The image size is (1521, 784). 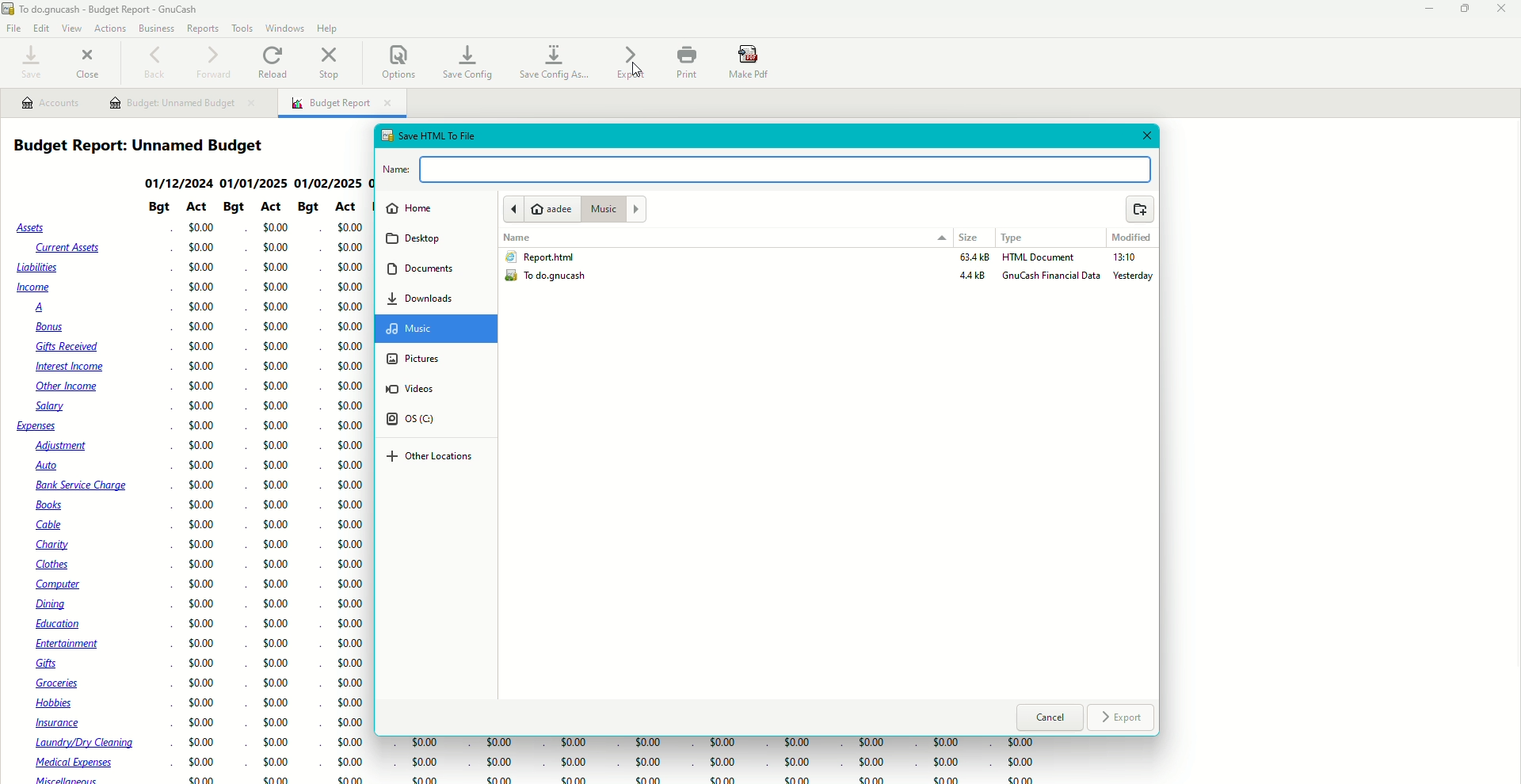 What do you see at coordinates (90, 61) in the screenshot?
I see `Close` at bounding box center [90, 61].